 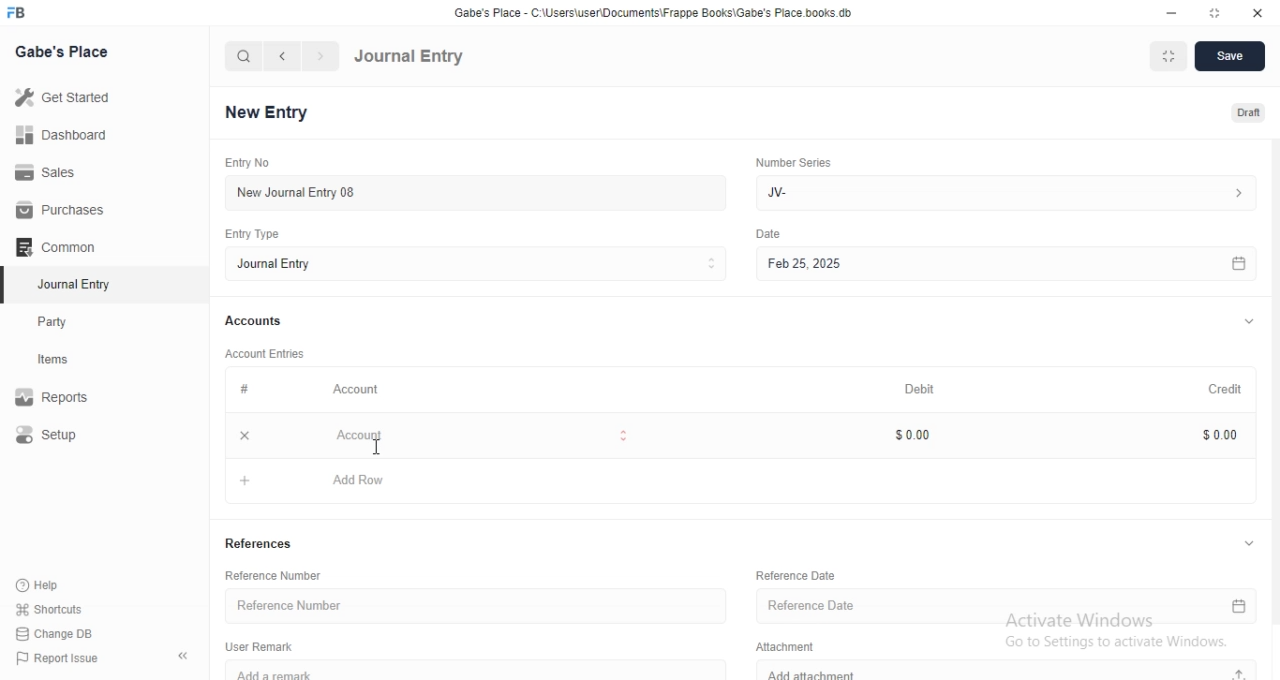 I want to click on + Add Row, so click(x=745, y=479).